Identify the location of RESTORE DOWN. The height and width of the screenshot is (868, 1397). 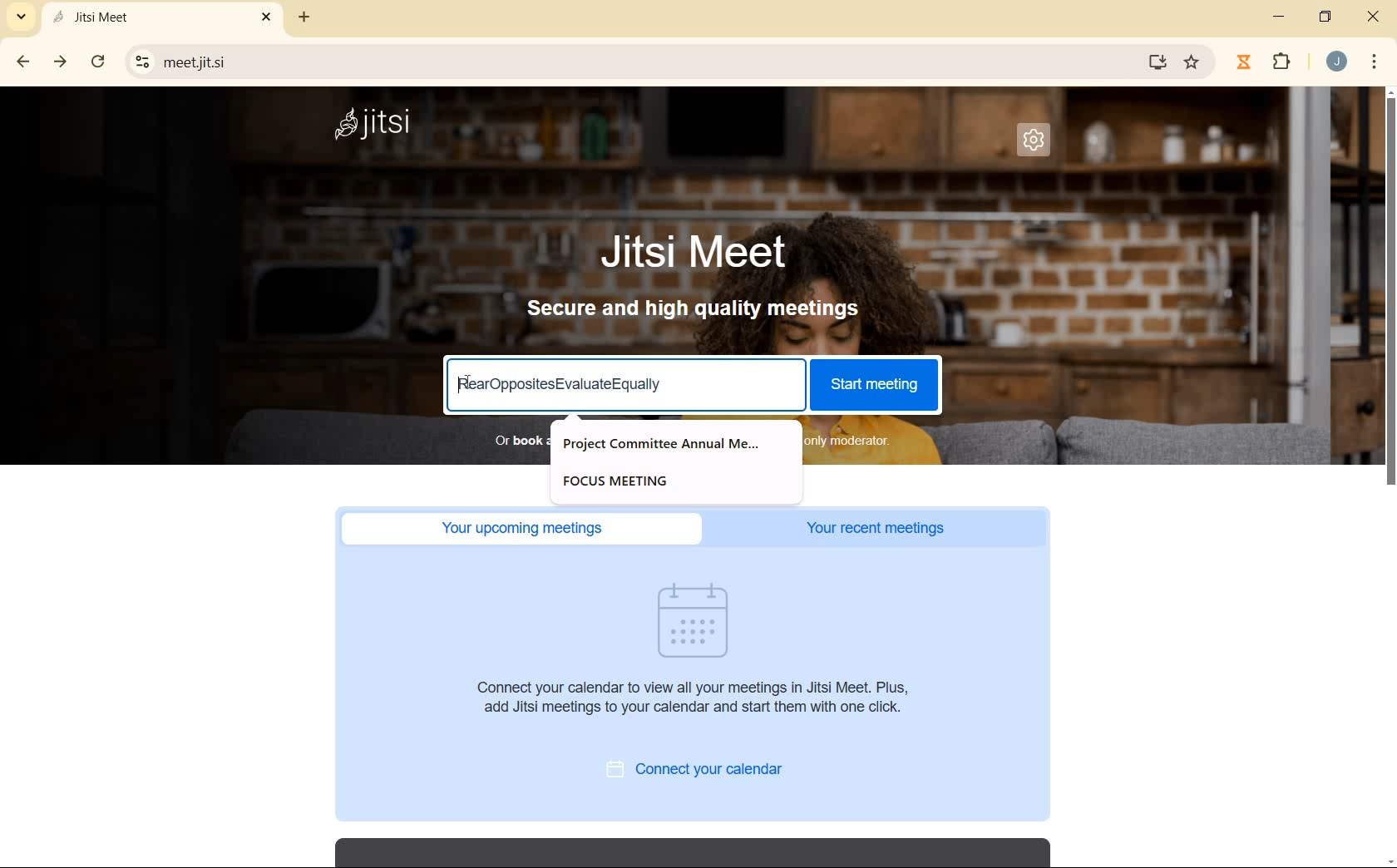
(1326, 21).